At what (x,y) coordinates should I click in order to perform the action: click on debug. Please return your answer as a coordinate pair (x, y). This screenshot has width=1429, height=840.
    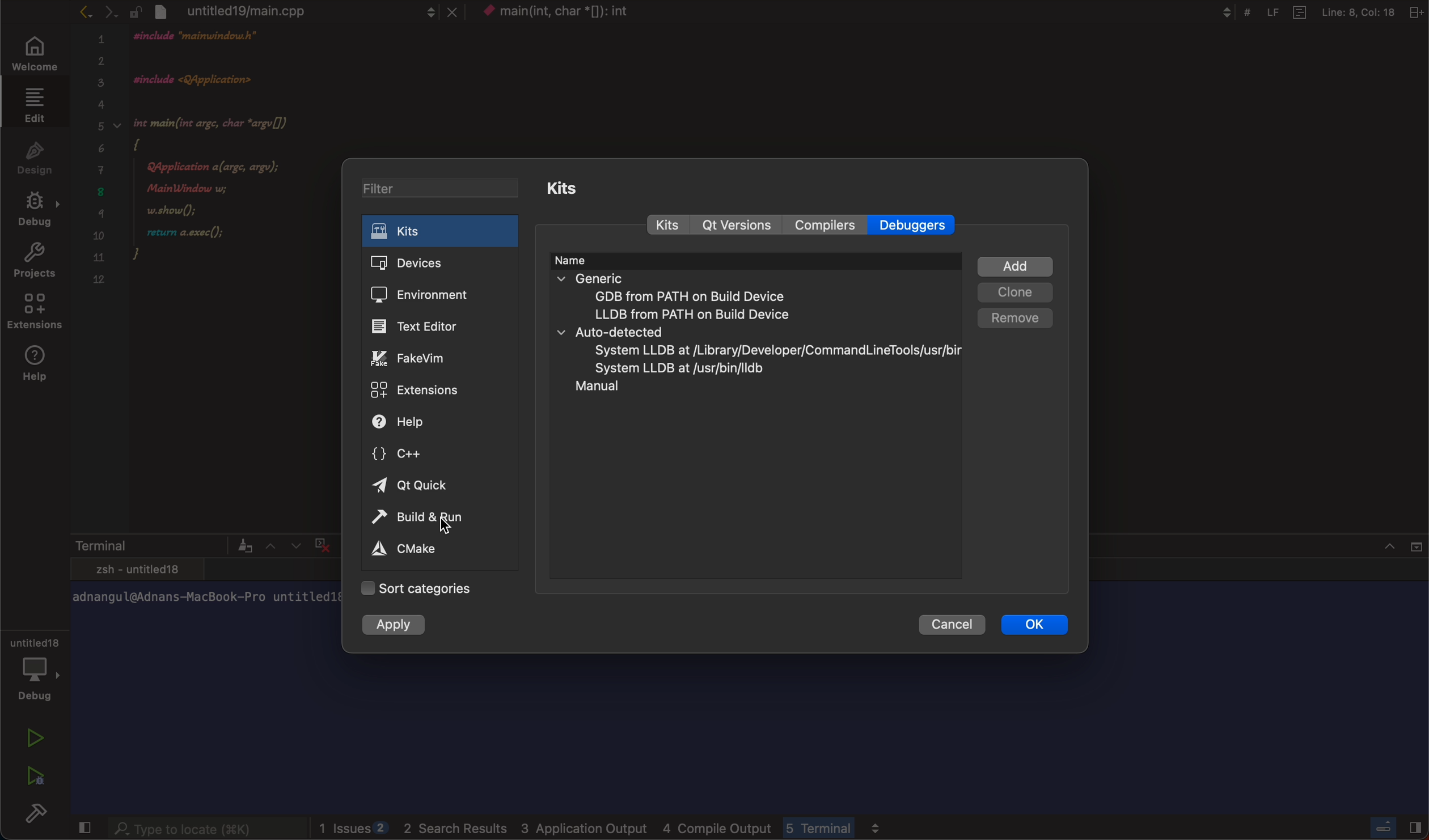
    Looking at the image, I should click on (37, 207).